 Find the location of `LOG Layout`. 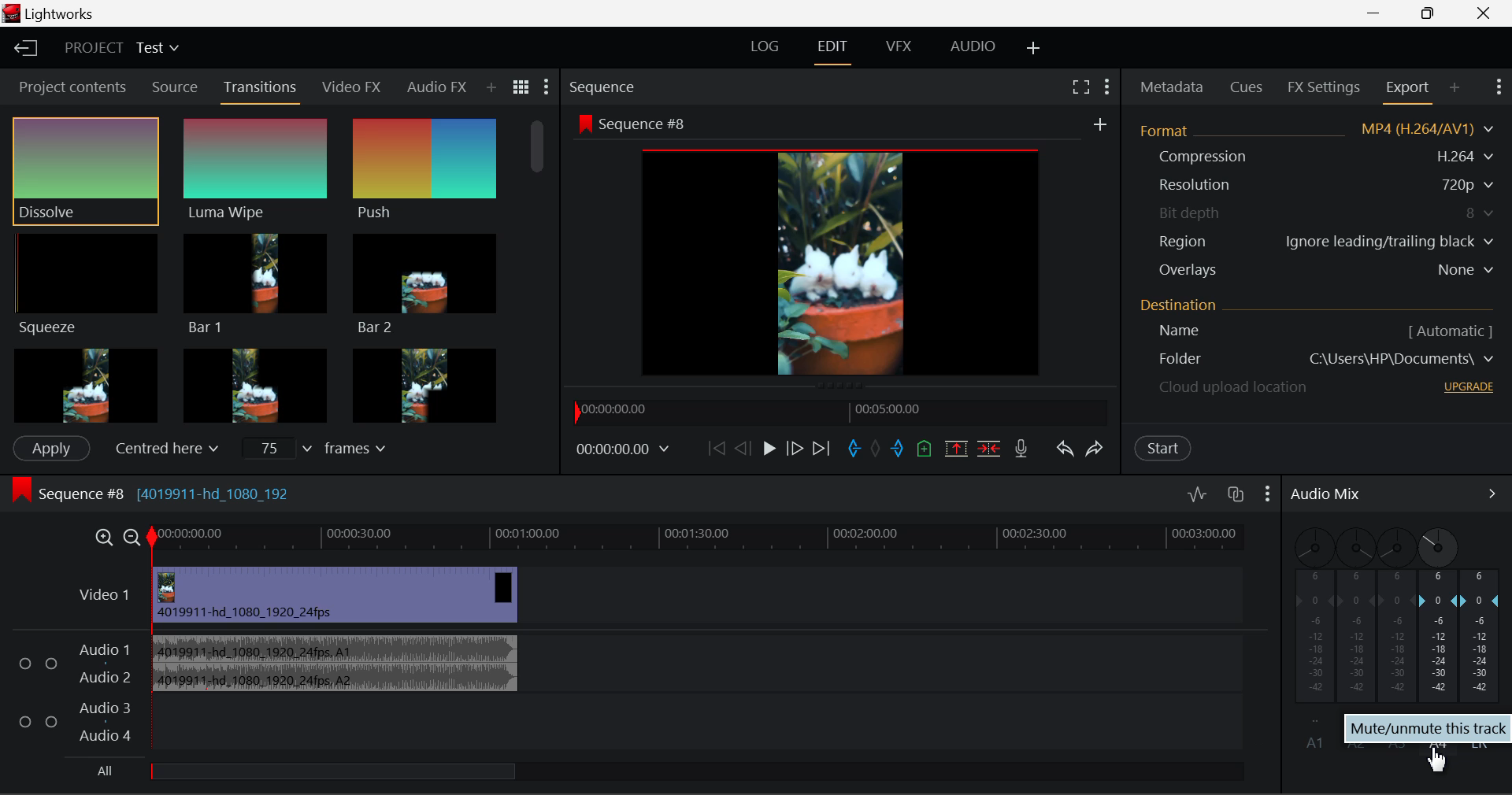

LOG Layout is located at coordinates (765, 46).